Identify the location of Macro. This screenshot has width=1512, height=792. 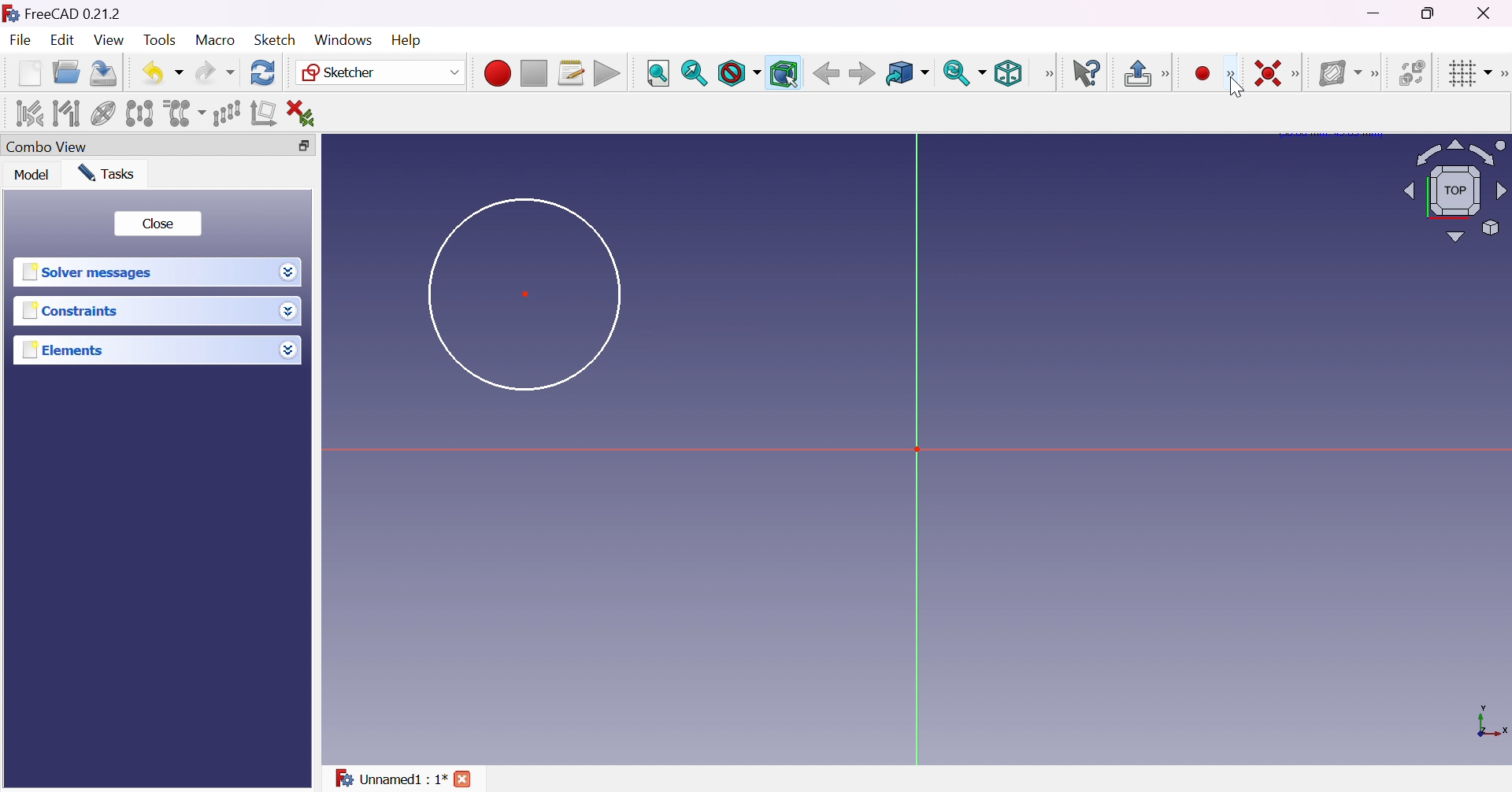
(216, 39).